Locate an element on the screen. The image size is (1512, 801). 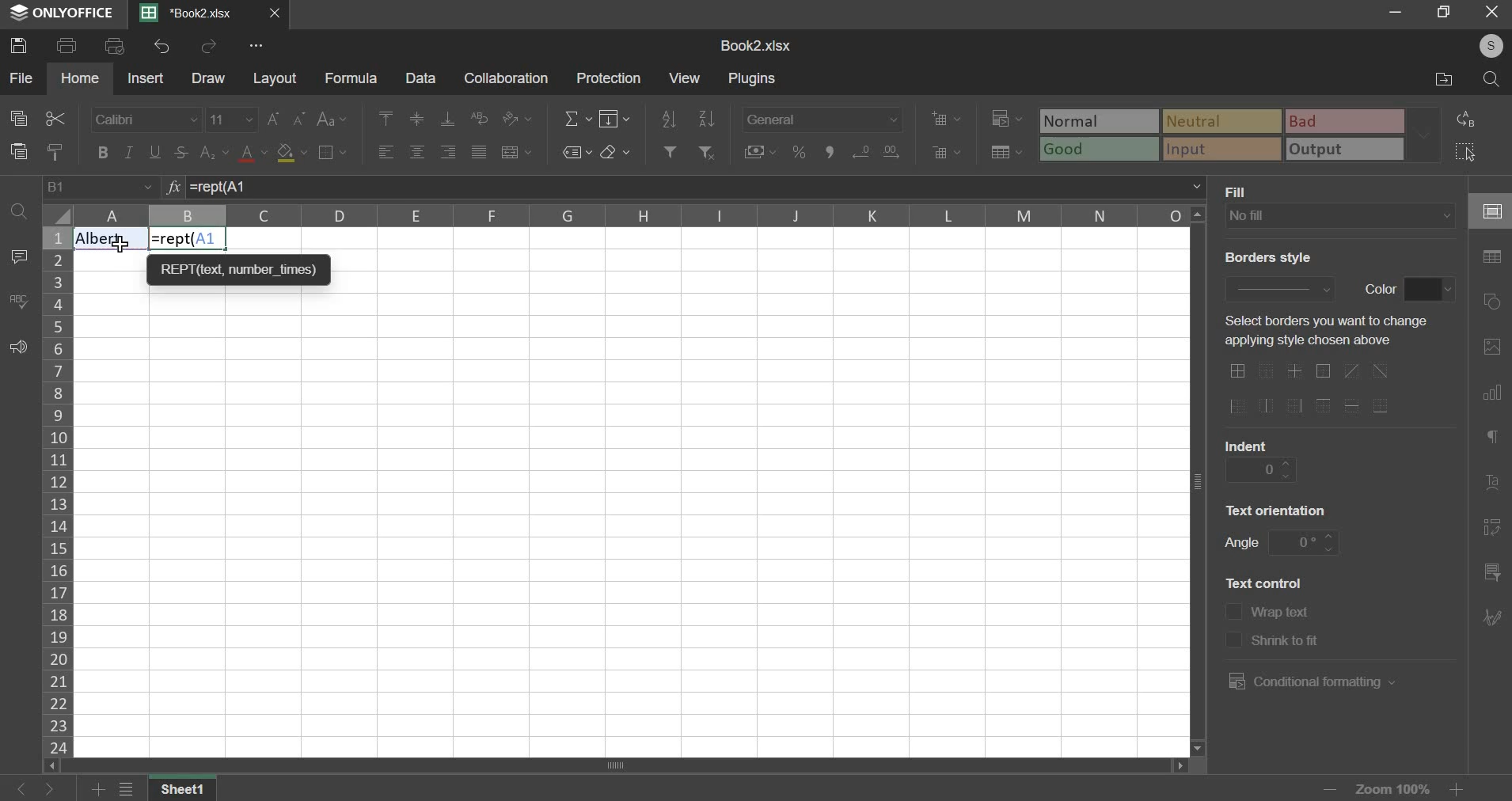
text is located at coordinates (1282, 512).